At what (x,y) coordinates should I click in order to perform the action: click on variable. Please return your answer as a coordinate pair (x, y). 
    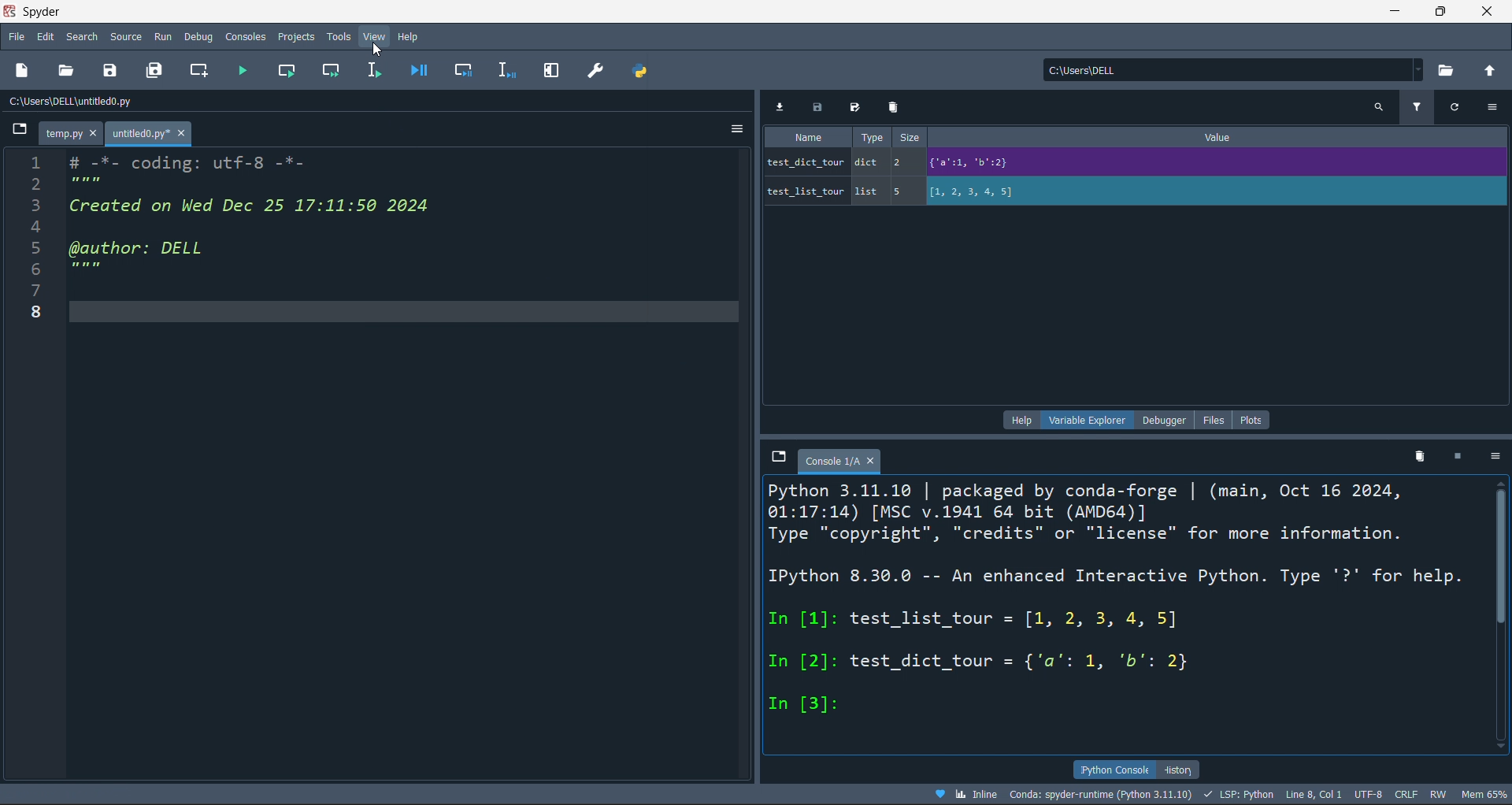
    Looking at the image, I should click on (805, 193).